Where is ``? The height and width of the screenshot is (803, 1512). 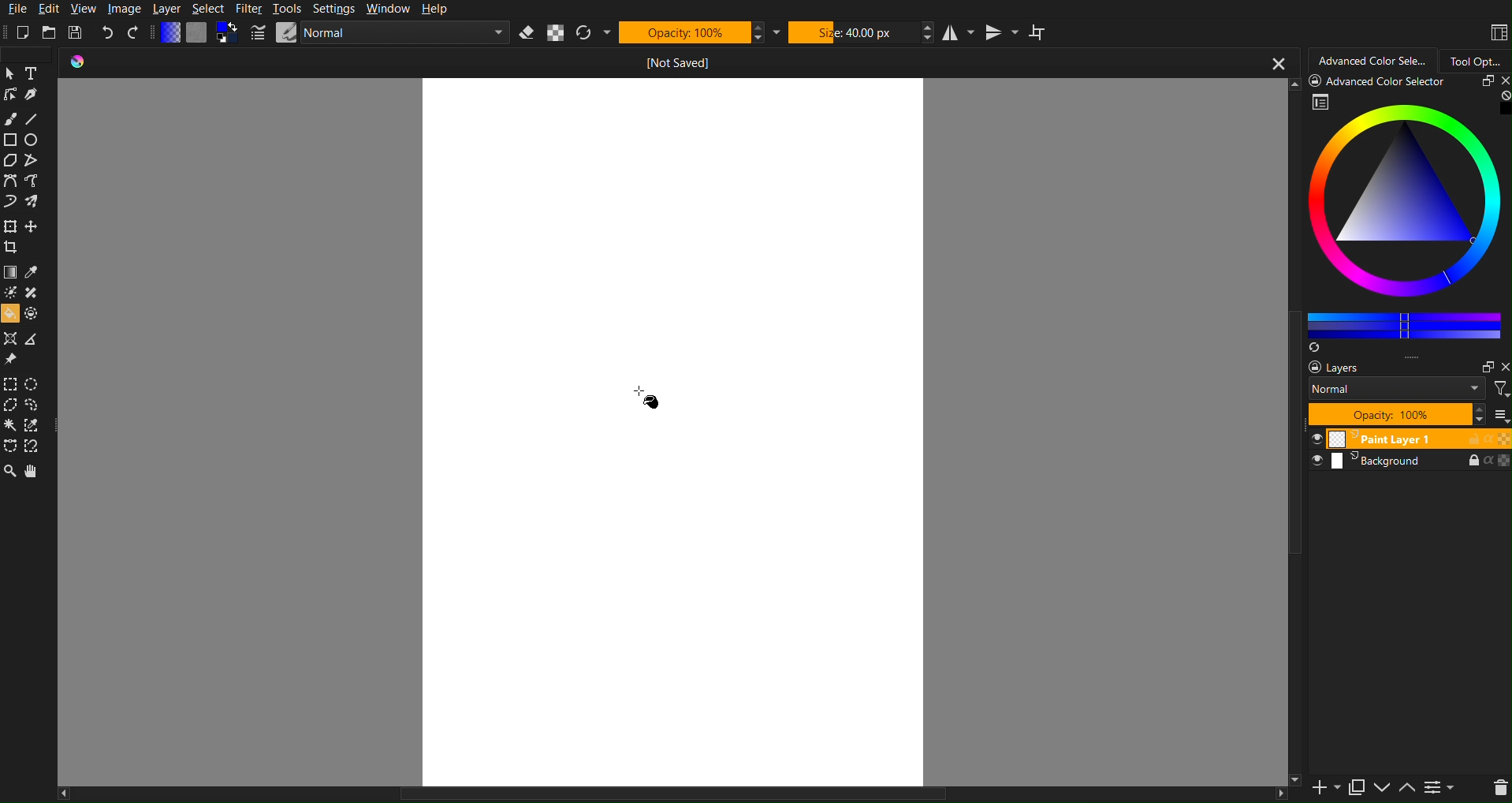  is located at coordinates (672, 794).